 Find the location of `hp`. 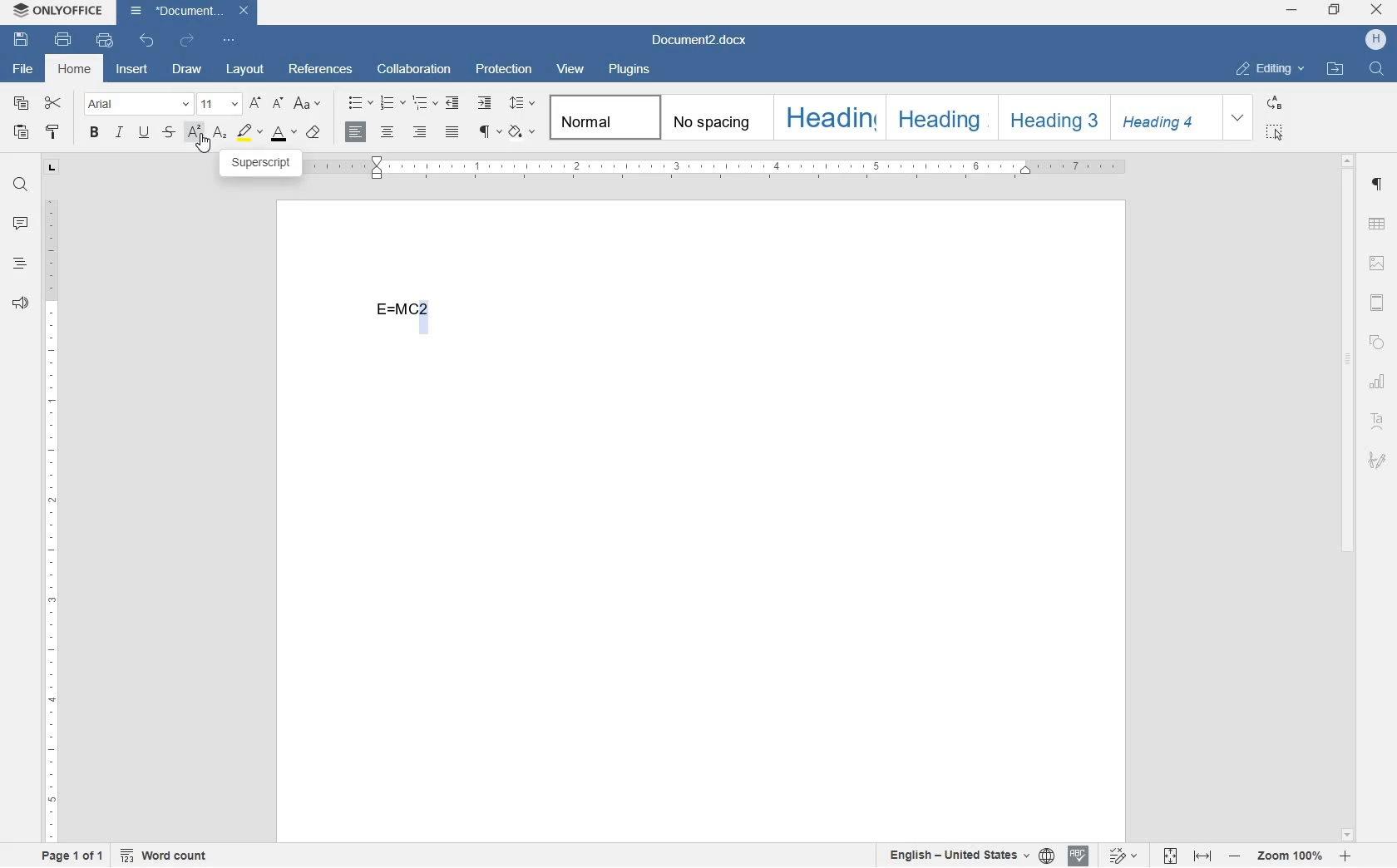

hp is located at coordinates (1376, 40).